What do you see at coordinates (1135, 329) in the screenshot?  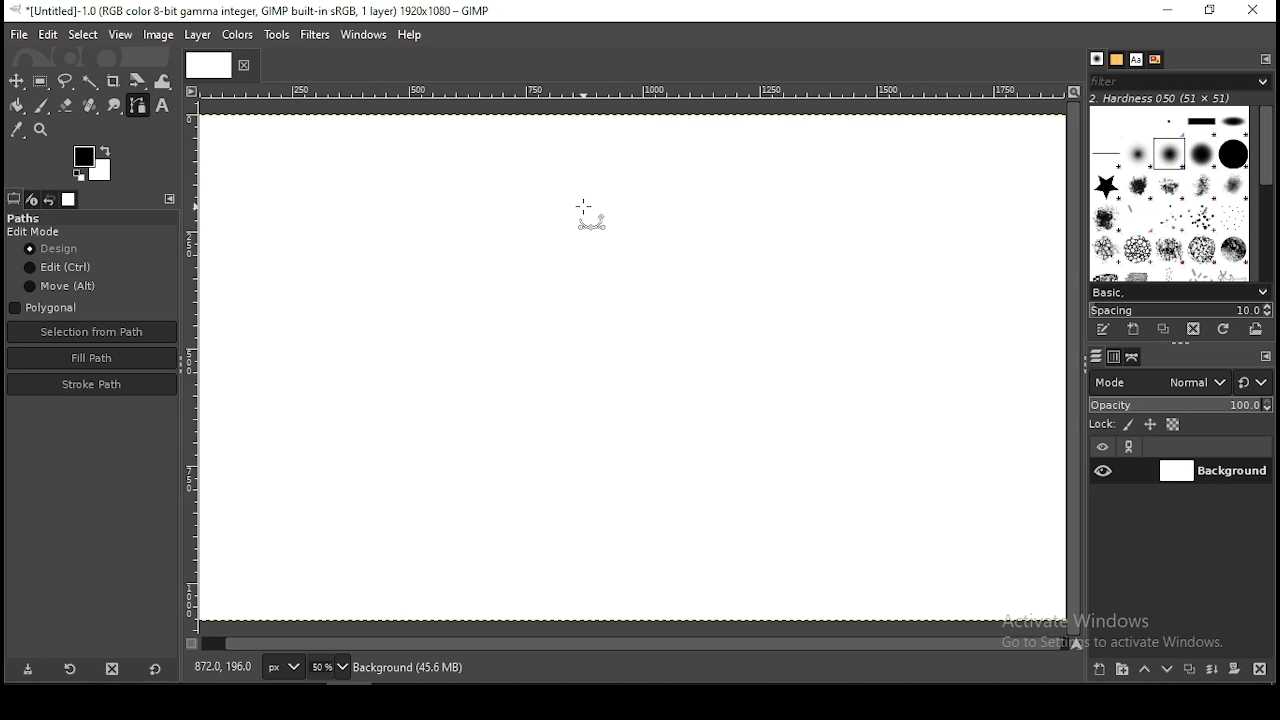 I see `create a new brush` at bounding box center [1135, 329].